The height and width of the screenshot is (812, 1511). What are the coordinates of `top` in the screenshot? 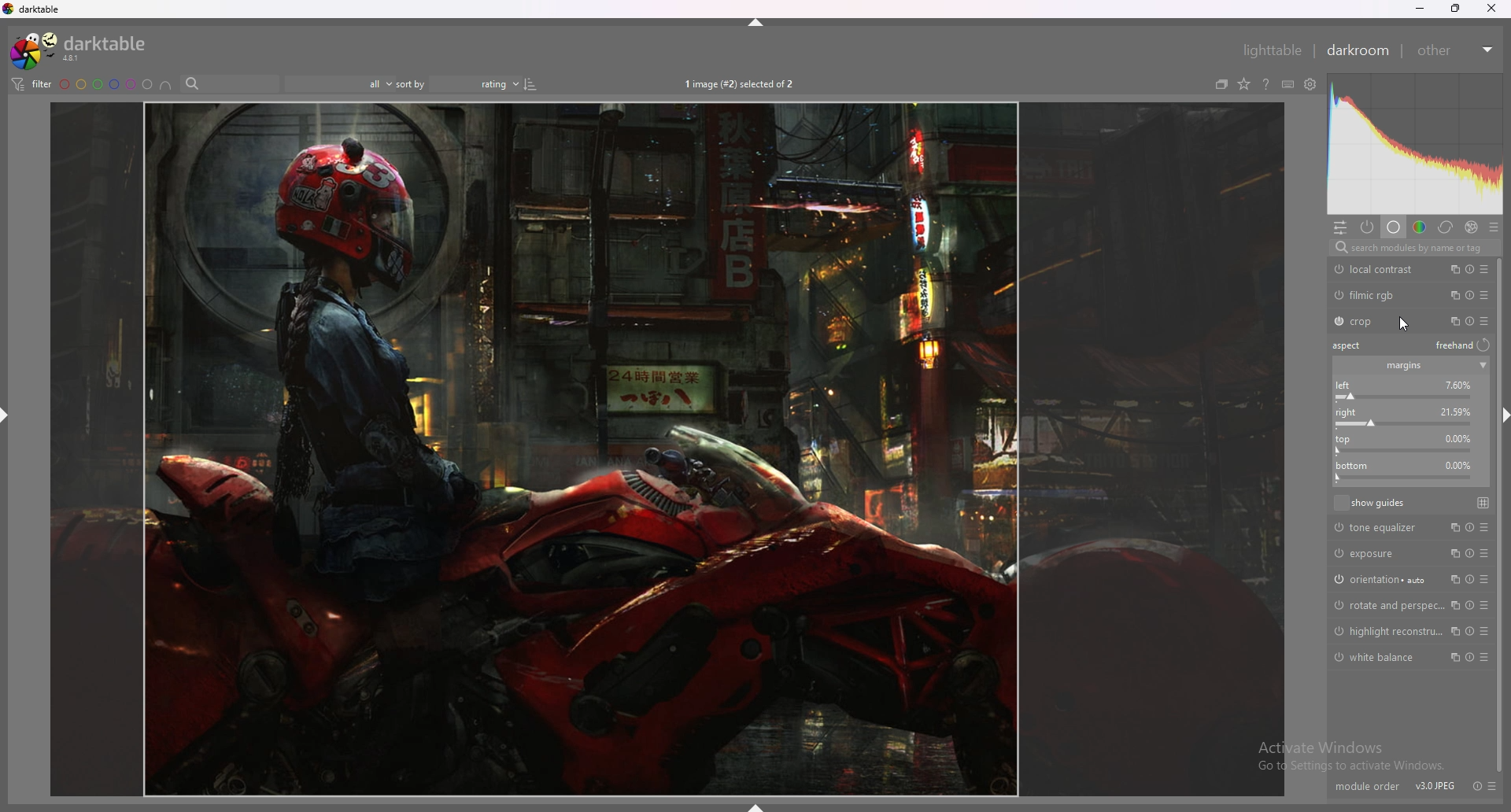 It's located at (1402, 444).